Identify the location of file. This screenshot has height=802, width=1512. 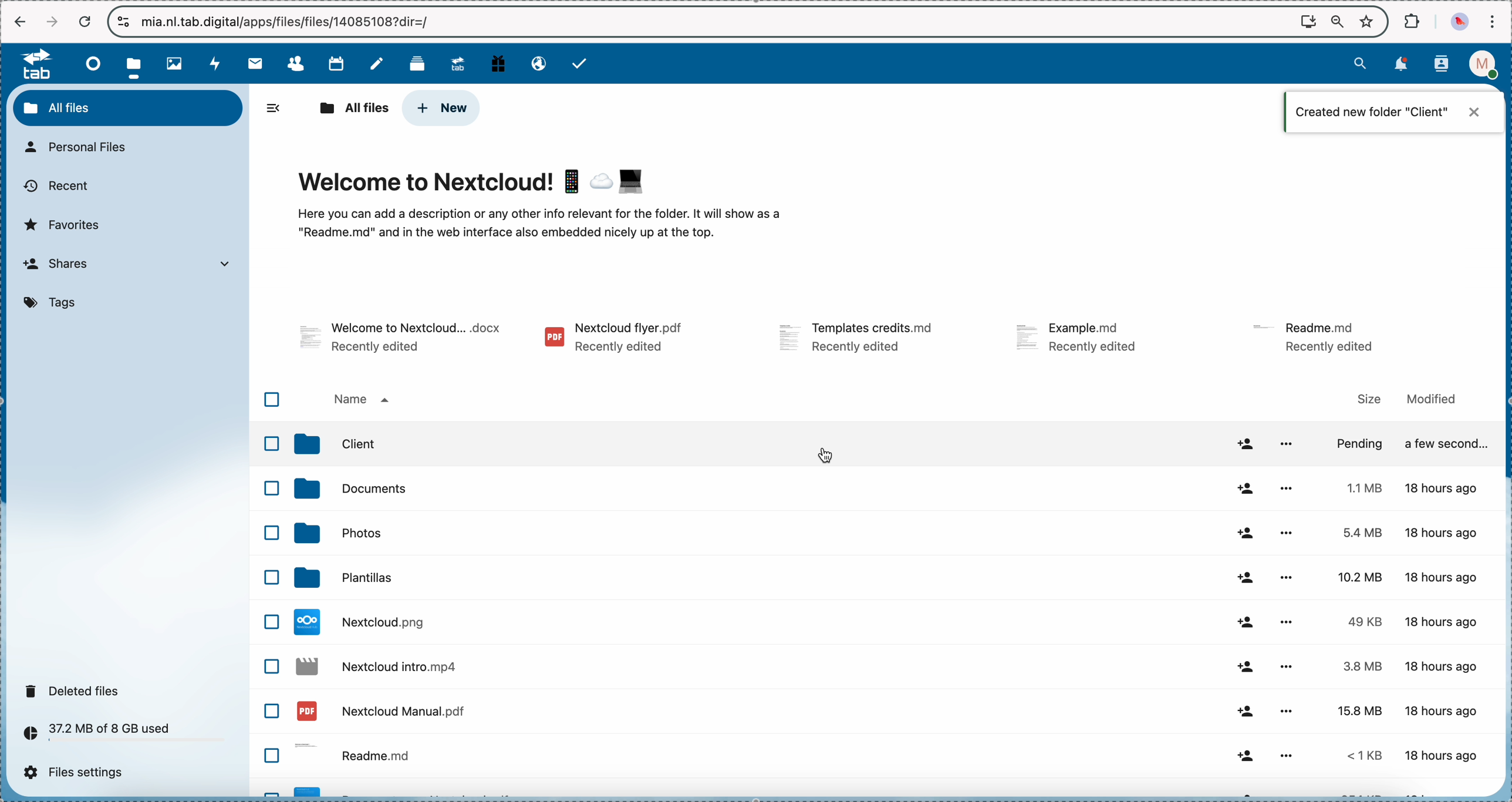
(1082, 340).